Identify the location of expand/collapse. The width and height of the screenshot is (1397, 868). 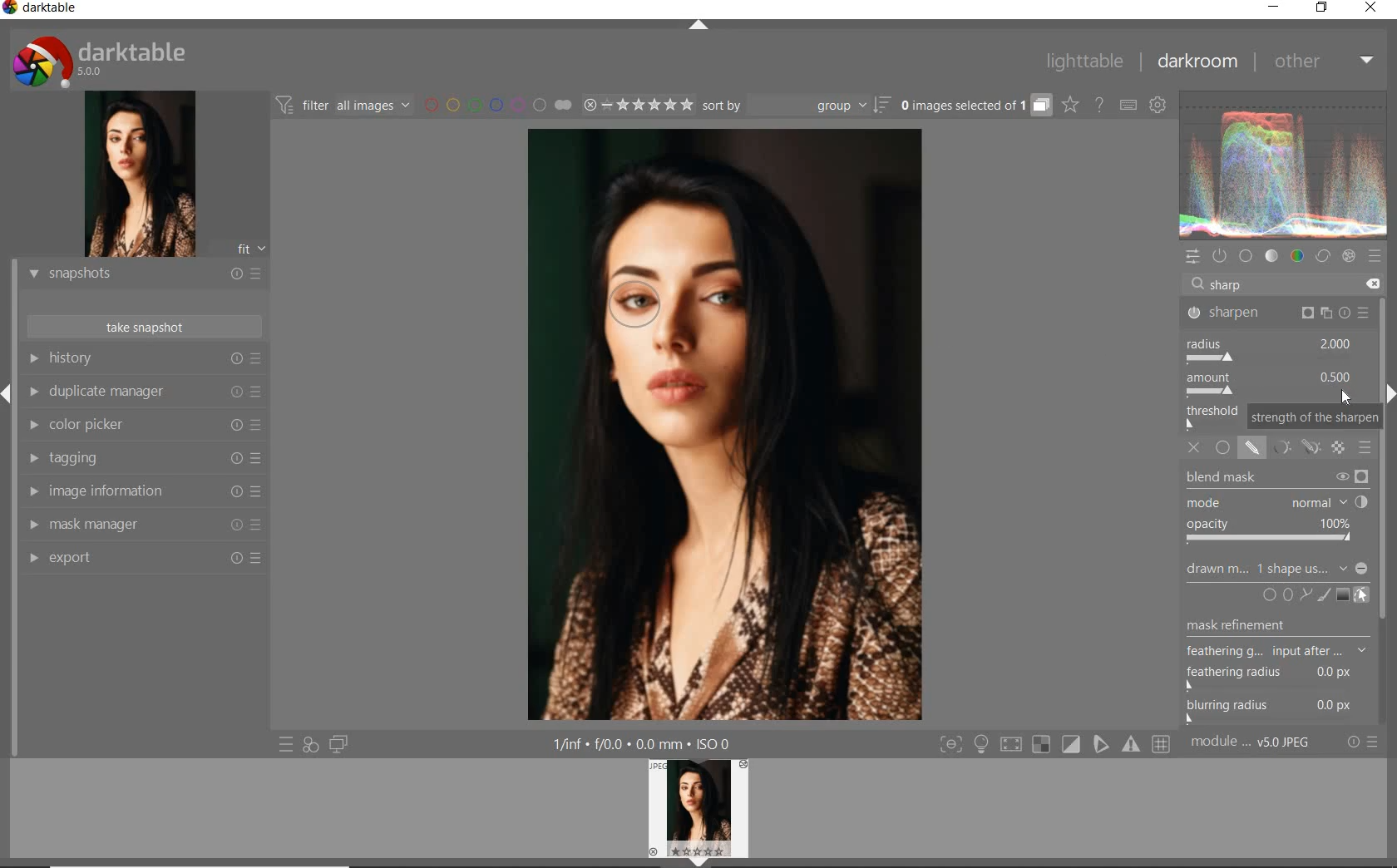
(700, 26).